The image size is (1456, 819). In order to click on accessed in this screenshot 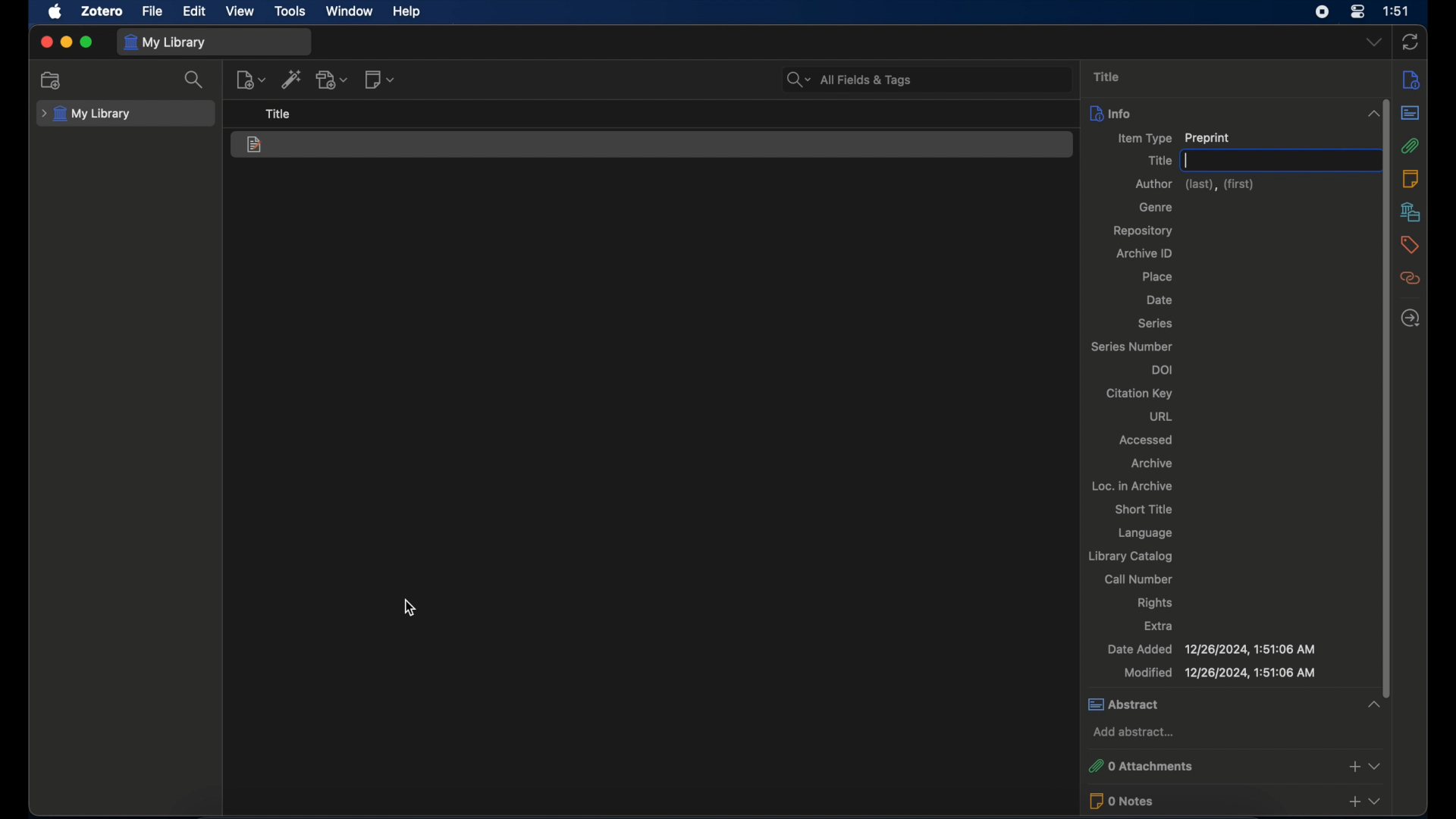, I will do `click(1146, 440)`.